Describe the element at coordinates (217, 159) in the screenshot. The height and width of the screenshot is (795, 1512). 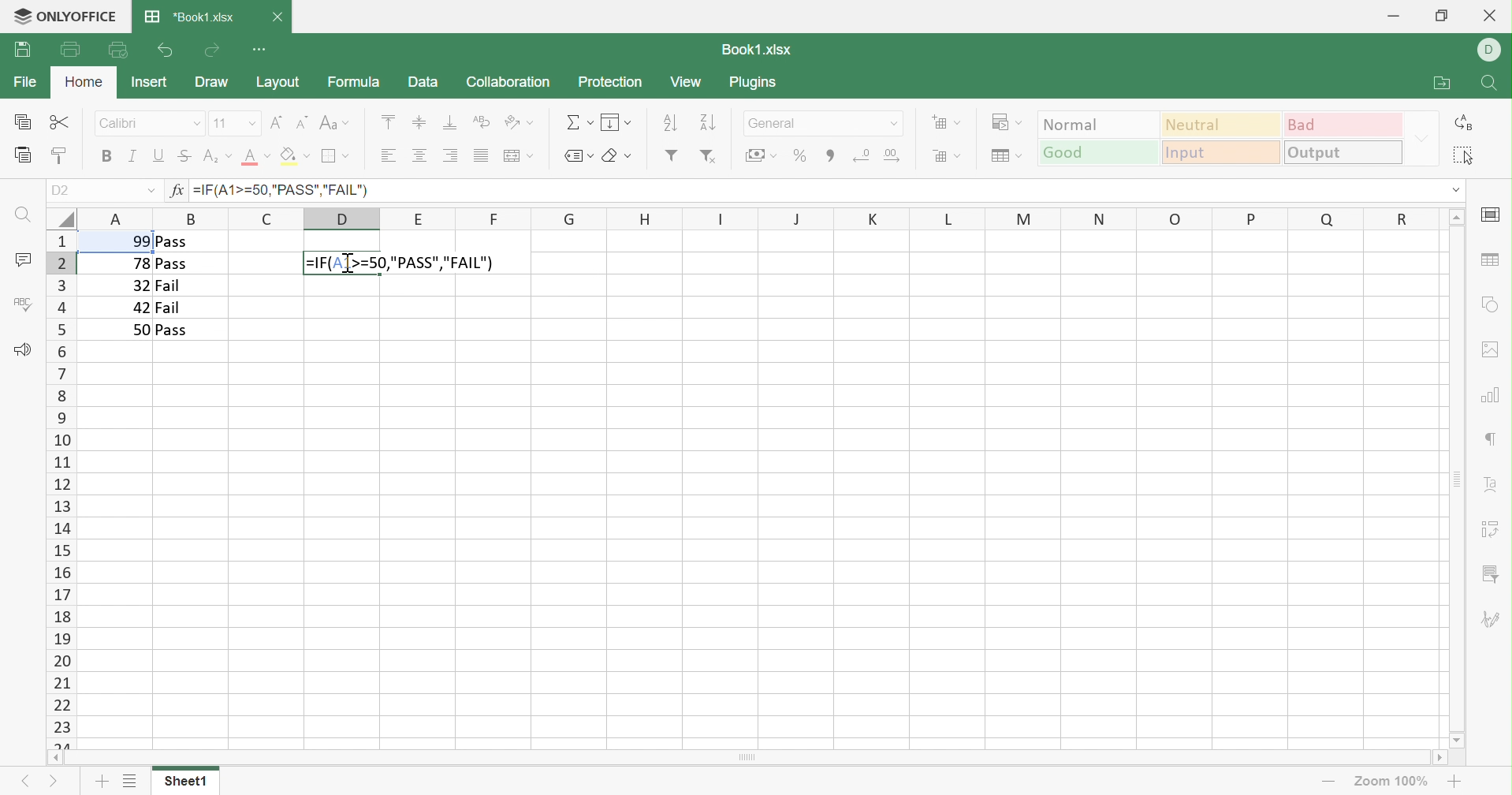
I see `Subscript` at that location.